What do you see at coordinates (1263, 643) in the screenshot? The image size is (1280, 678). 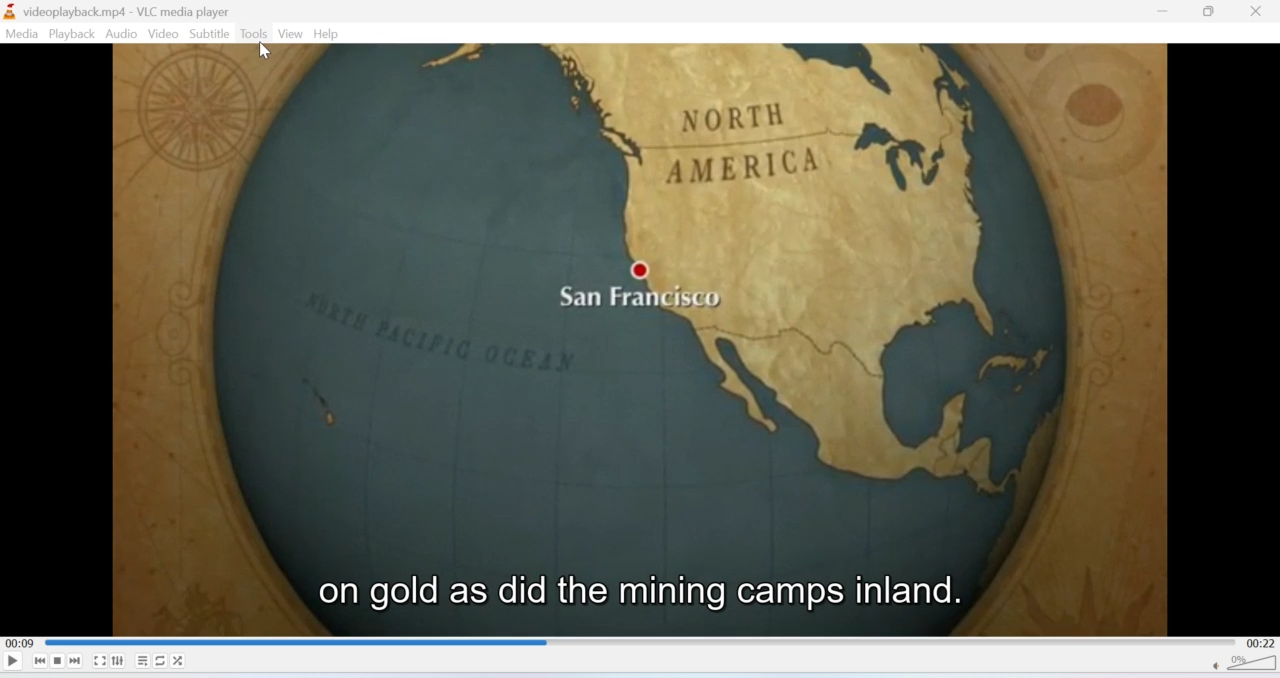 I see `00:22` at bounding box center [1263, 643].